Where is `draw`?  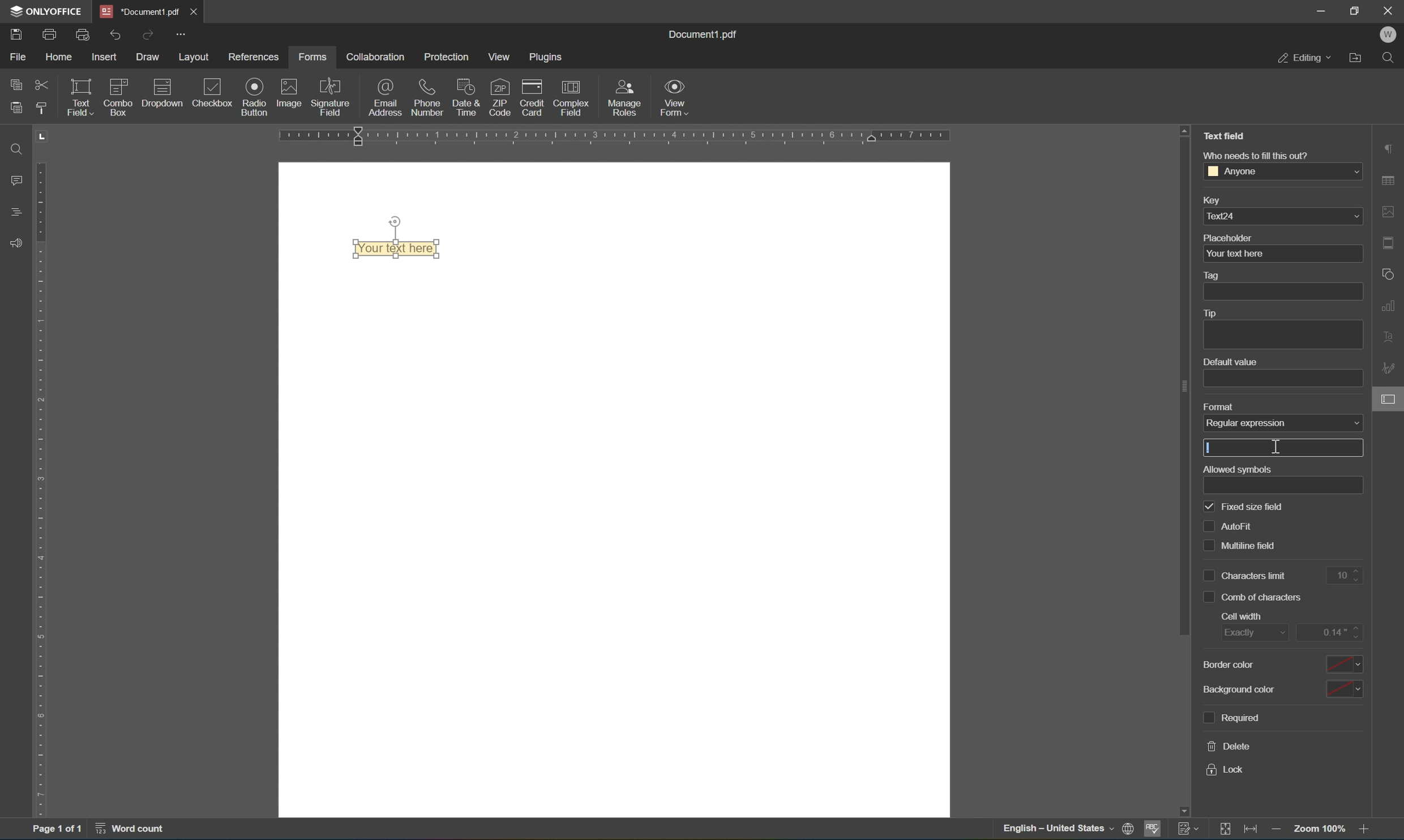 draw is located at coordinates (149, 57).